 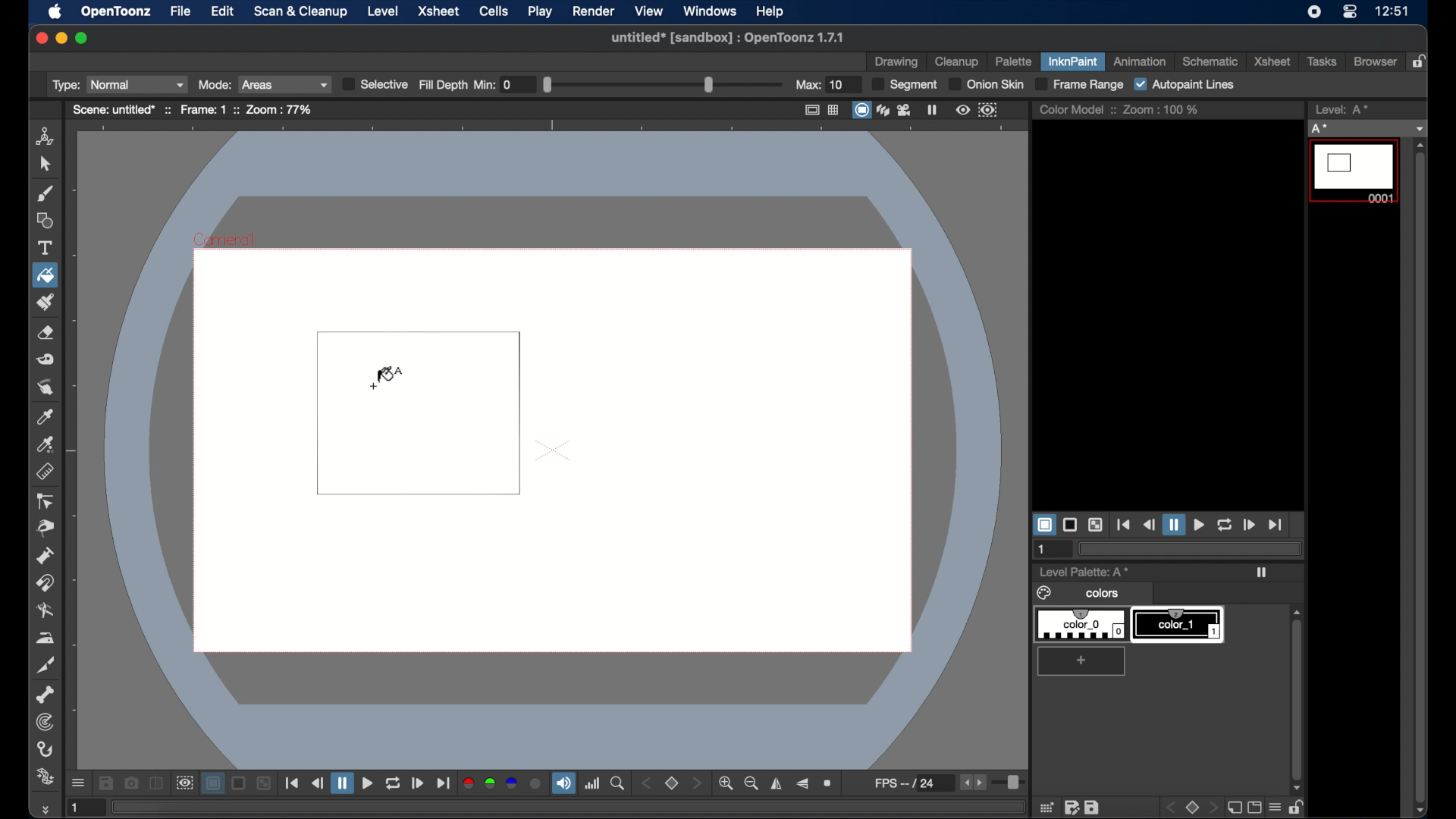 What do you see at coordinates (45, 528) in the screenshot?
I see `pinch tool` at bounding box center [45, 528].